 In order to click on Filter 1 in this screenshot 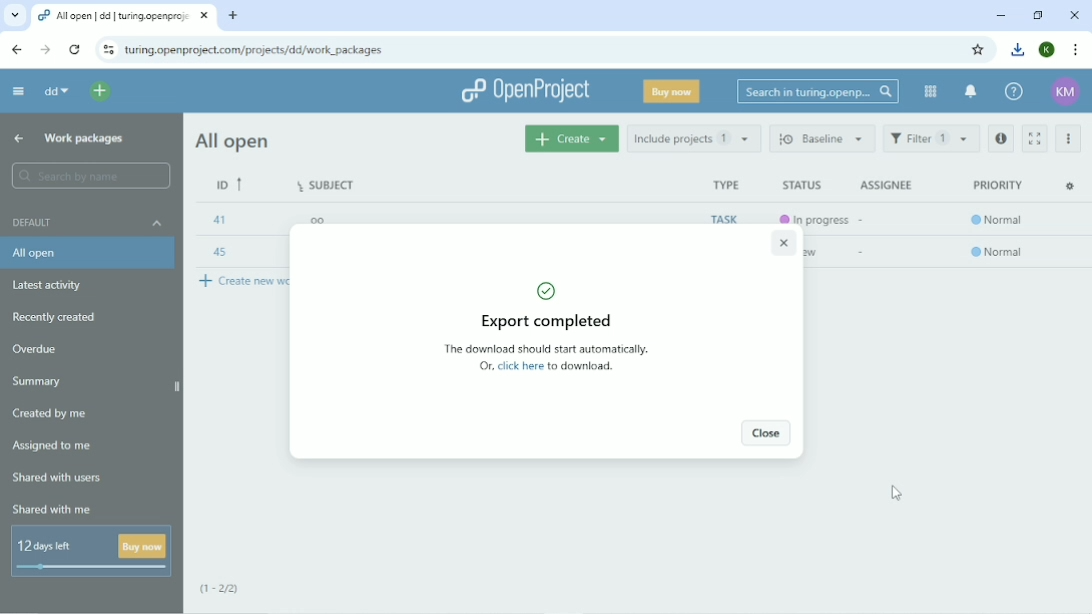, I will do `click(931, 138)`.